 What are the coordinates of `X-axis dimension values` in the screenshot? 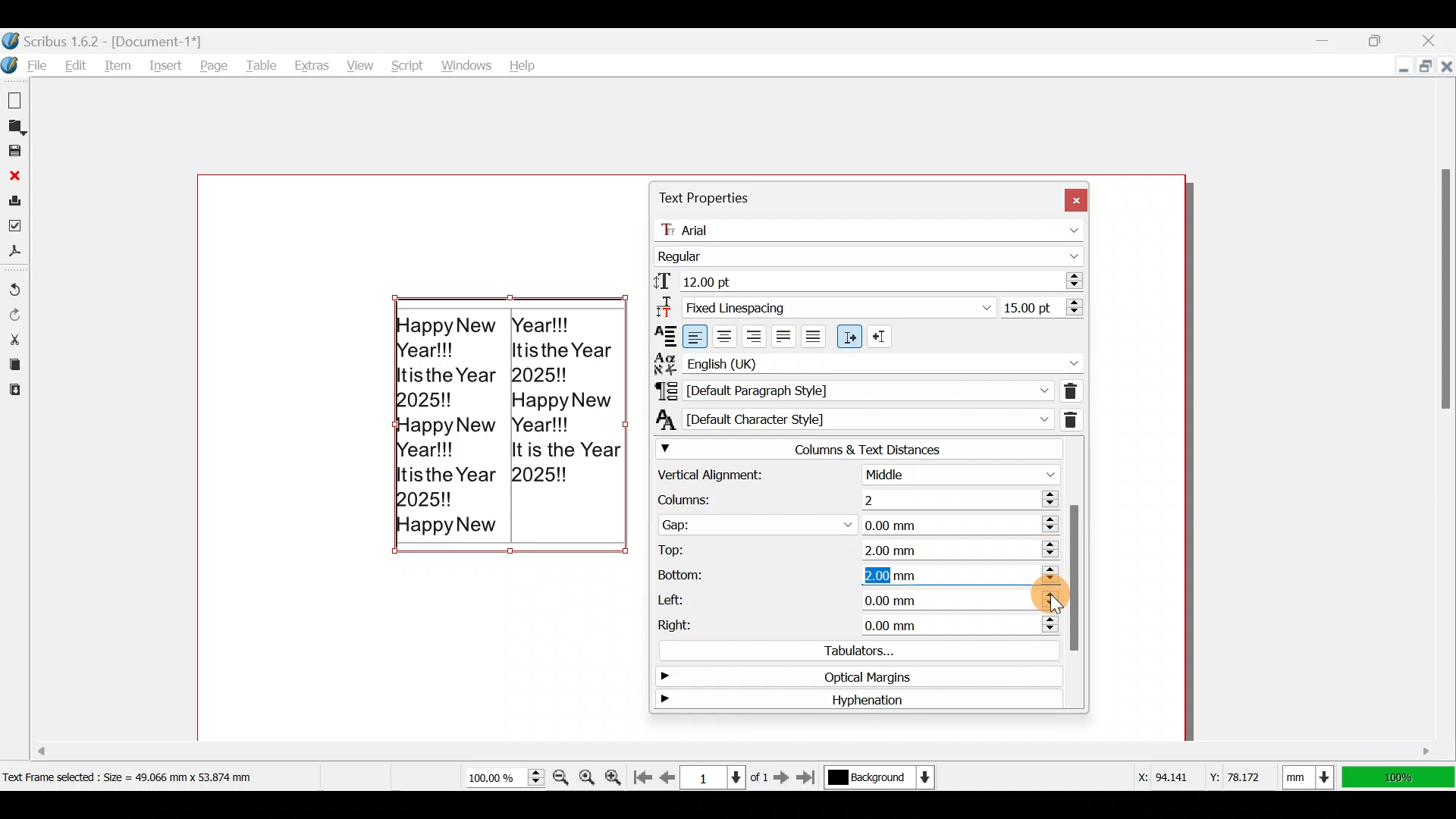 It's located at (1161, 776).